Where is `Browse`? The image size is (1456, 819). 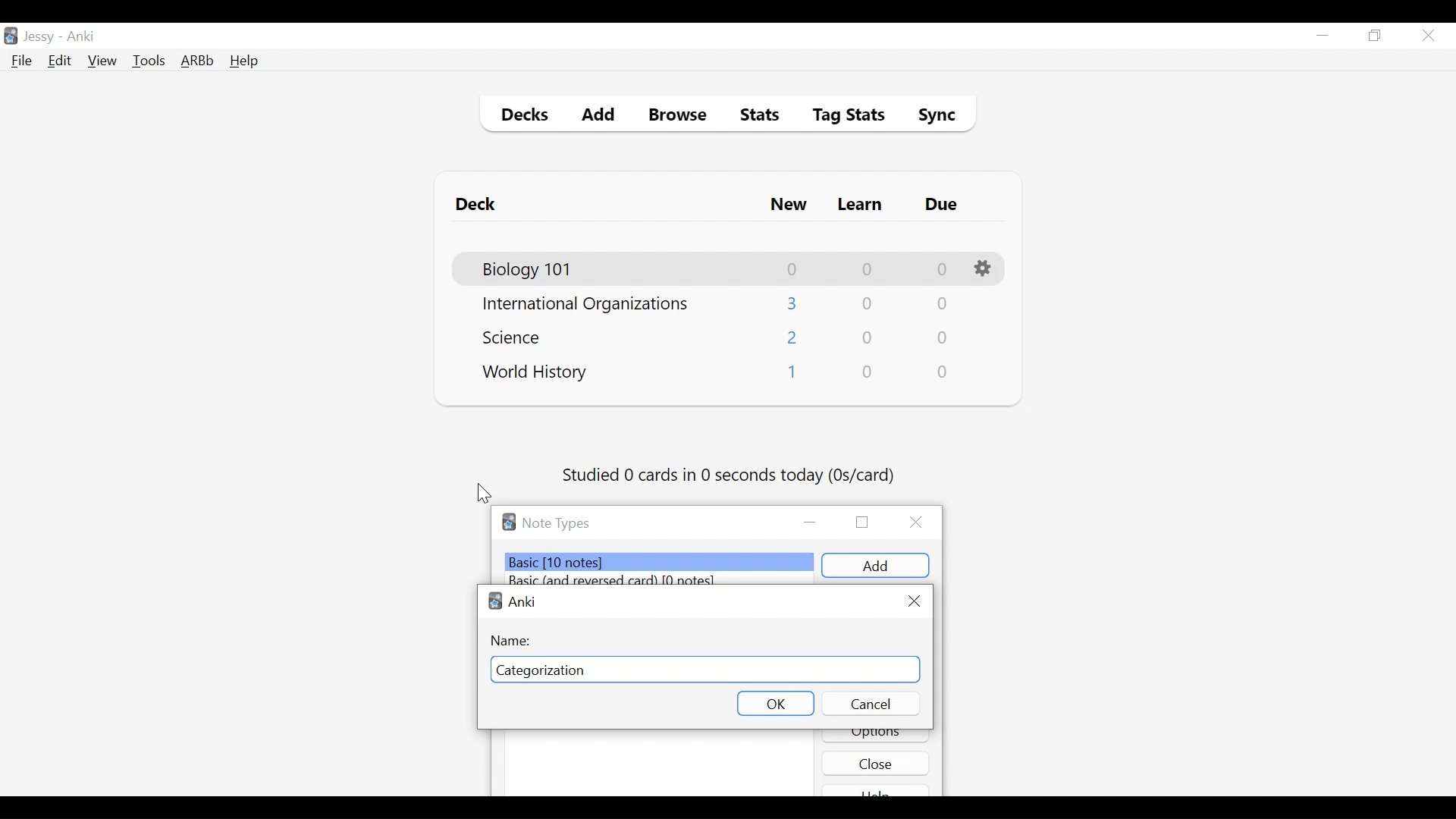 Browse is located at coordinates (680, 117).